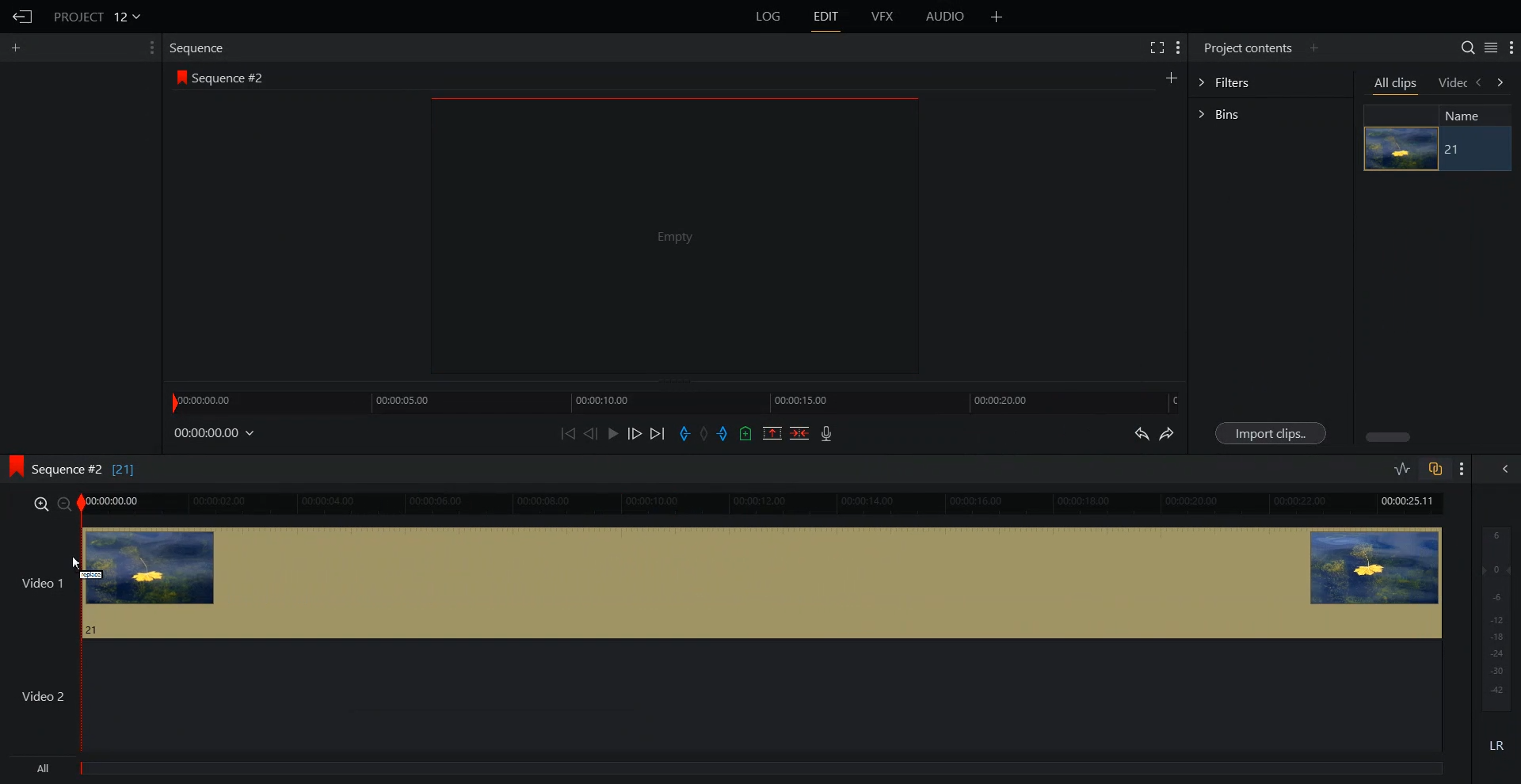  What do you see at coordinates (760, 582) in the screenshot?
I see `Video 1` at bounding box center [760, 582].